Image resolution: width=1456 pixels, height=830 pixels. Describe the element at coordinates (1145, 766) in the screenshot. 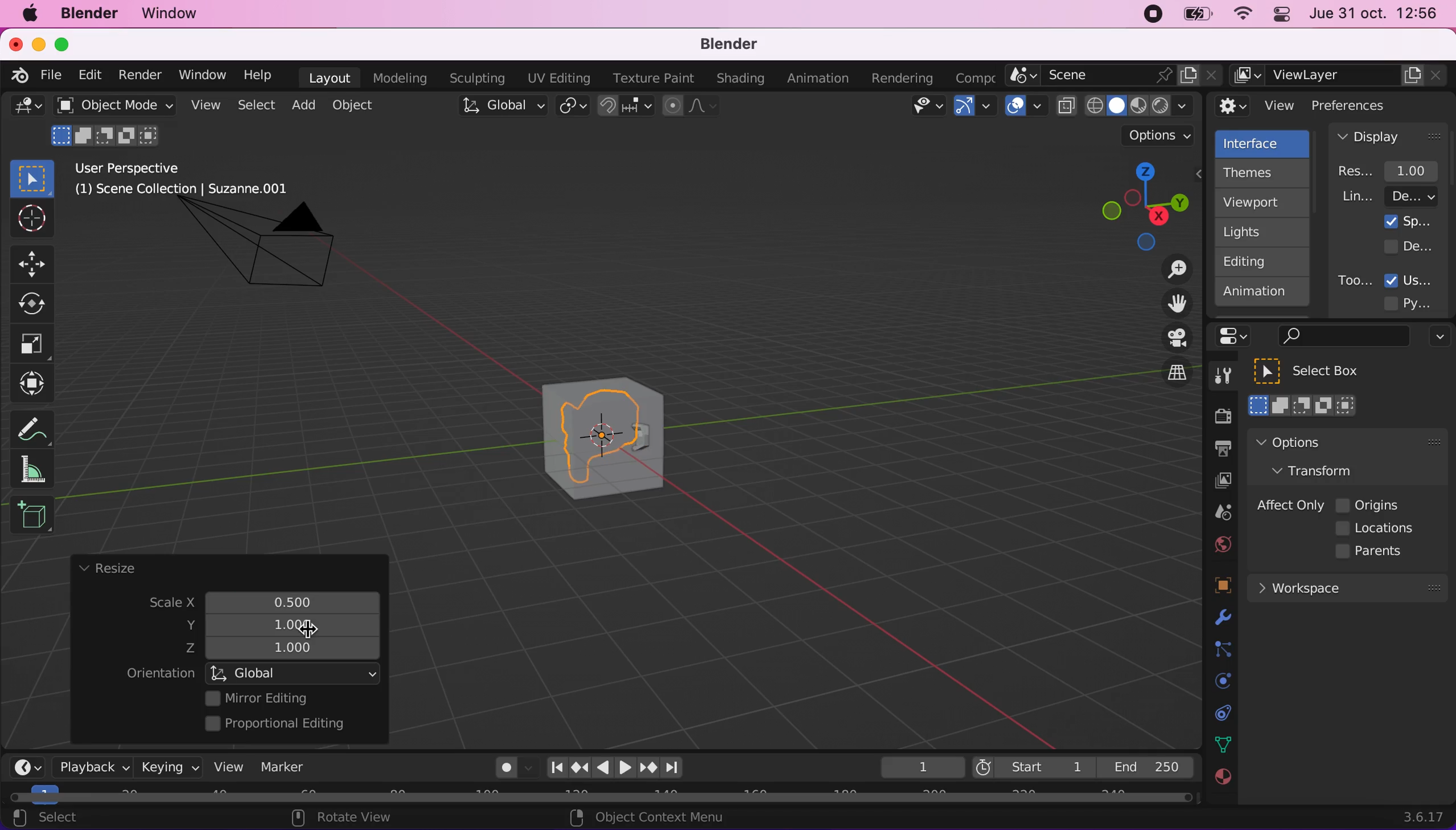

I see `end 250` at that location.